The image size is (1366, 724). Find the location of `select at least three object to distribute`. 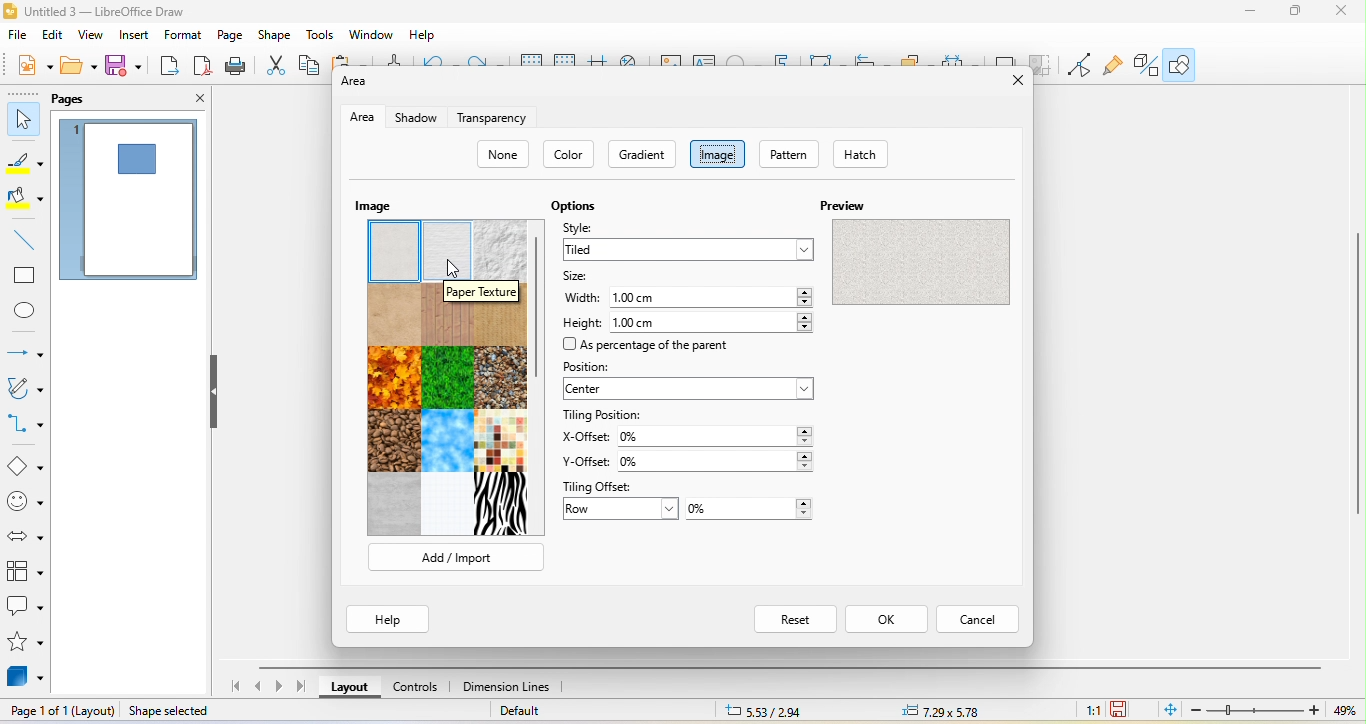

select at least three object to distribute is located at coordinates (959, 59).